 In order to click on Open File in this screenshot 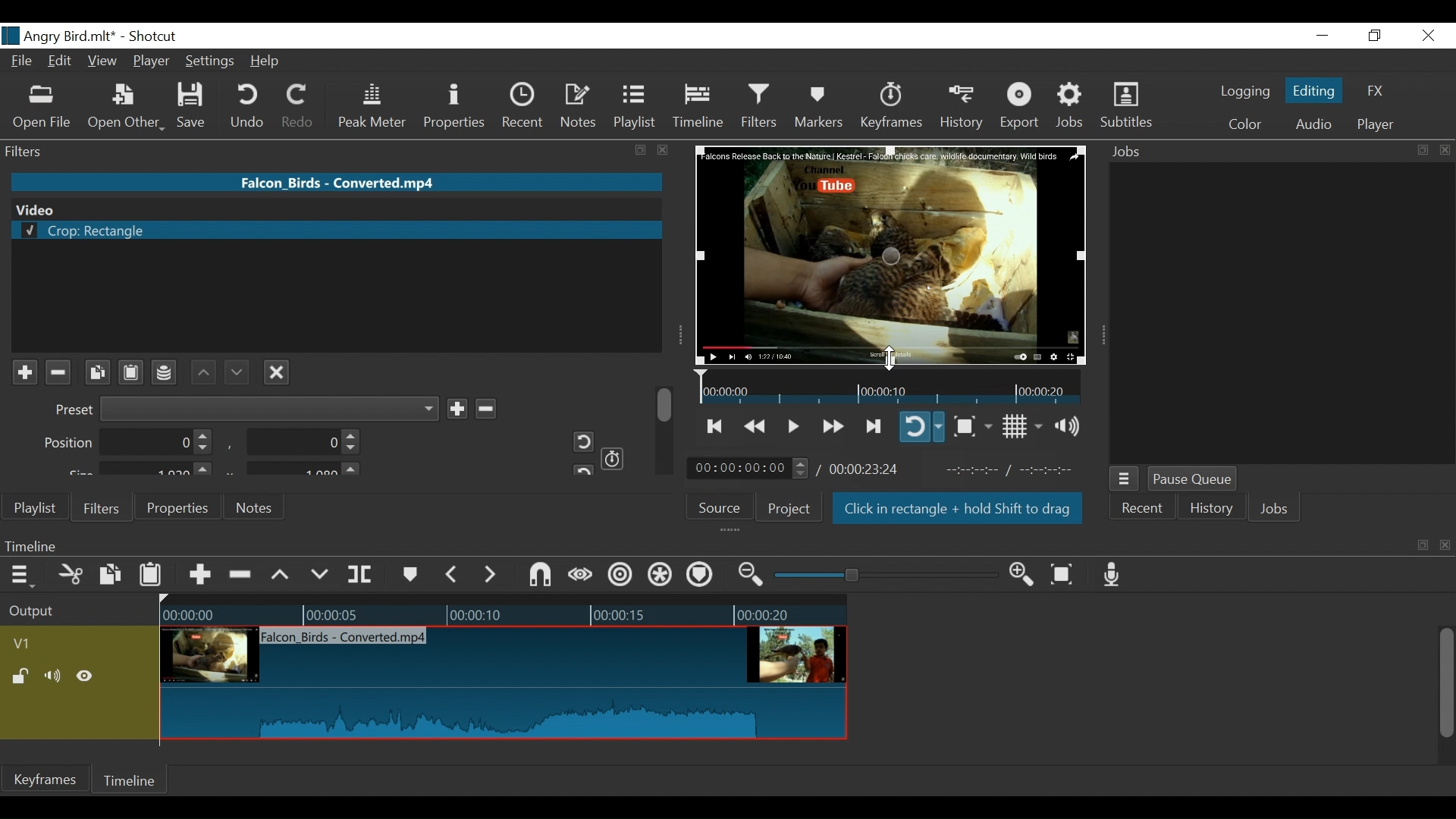, I will do `click(42, 108)`.